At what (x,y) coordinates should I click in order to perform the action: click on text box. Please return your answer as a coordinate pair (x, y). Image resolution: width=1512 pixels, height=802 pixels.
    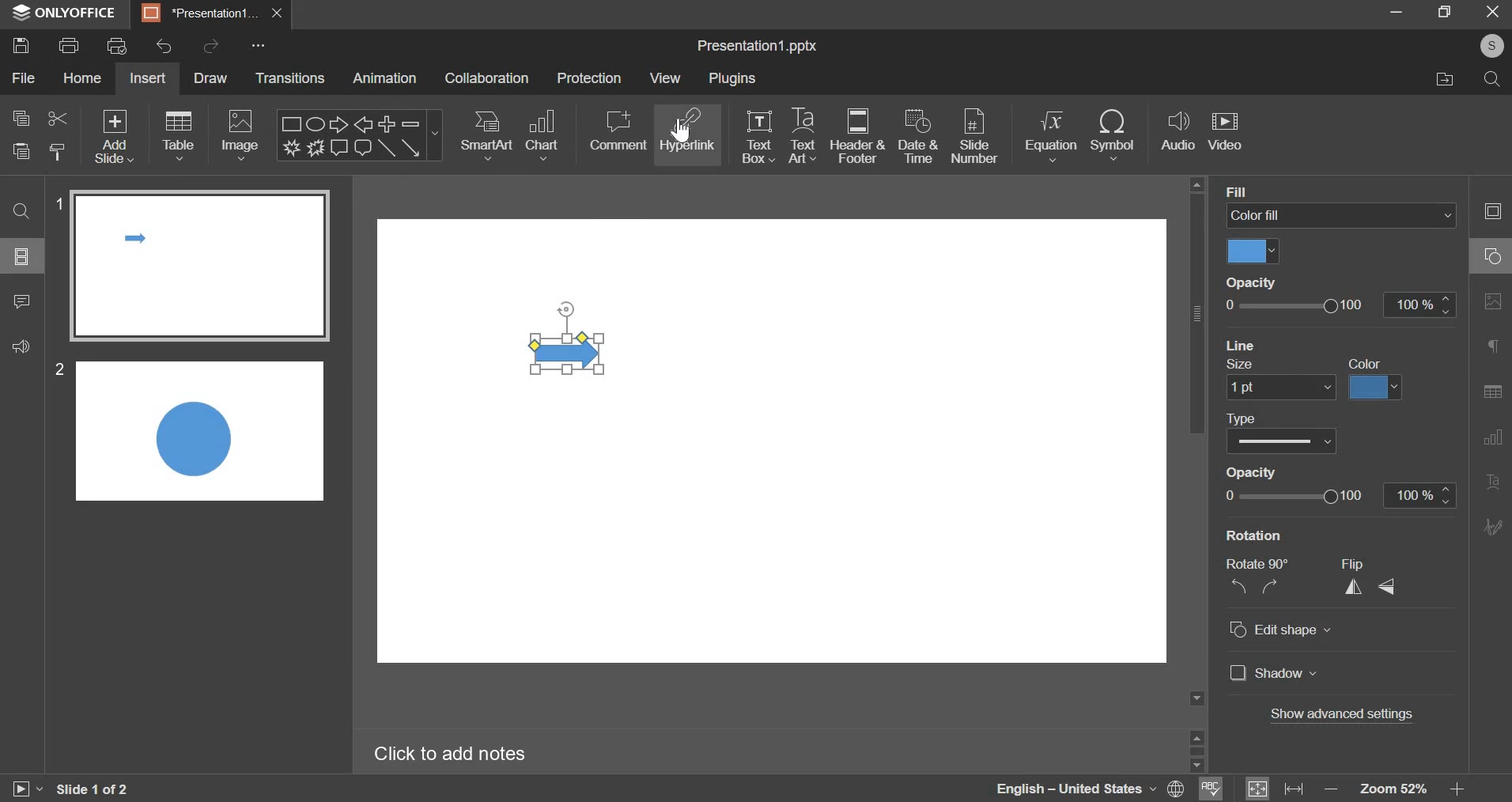
    Looking at the image, I should click on (758, 136).